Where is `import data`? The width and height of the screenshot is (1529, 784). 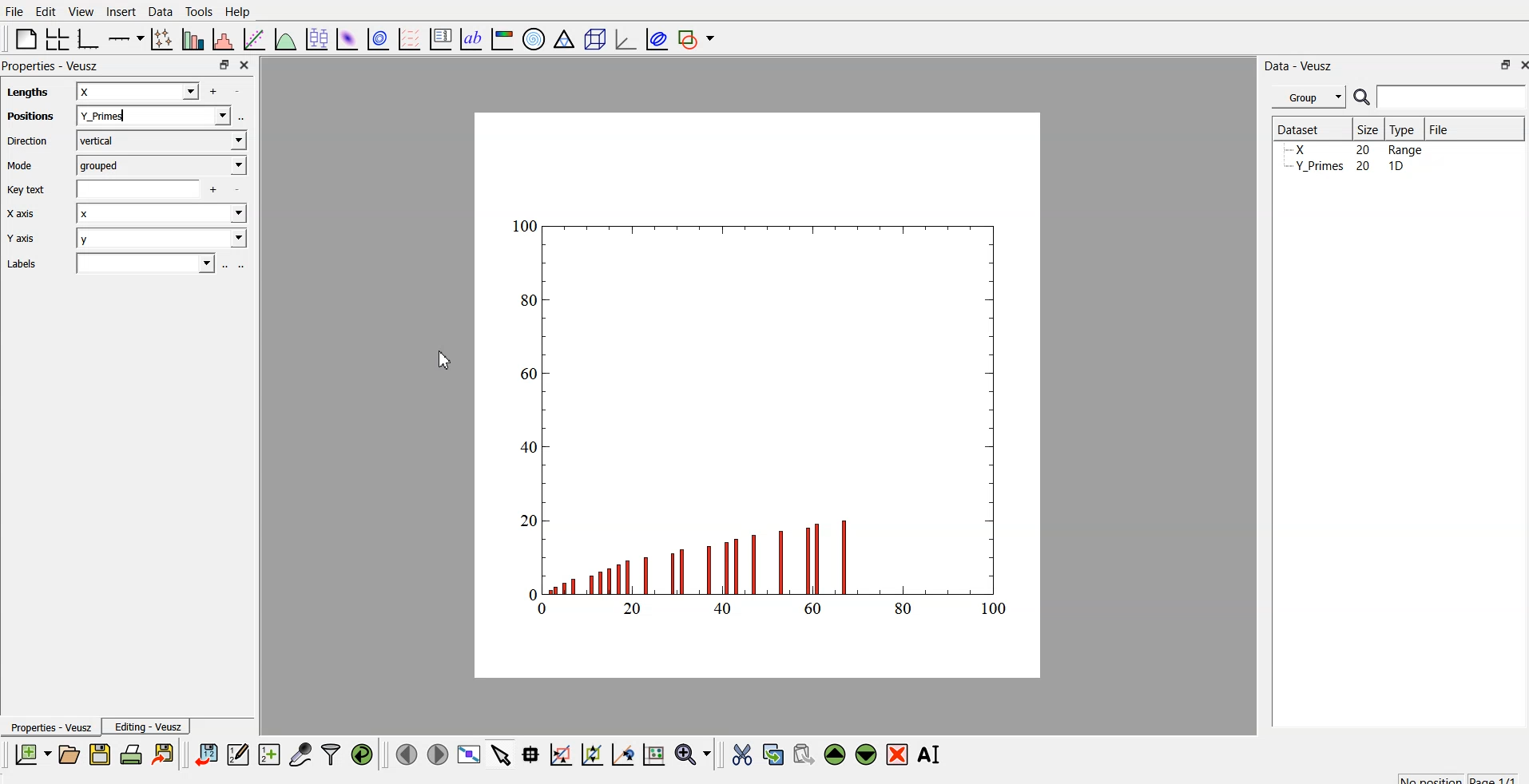 import data is located at coordinates (207, 752).